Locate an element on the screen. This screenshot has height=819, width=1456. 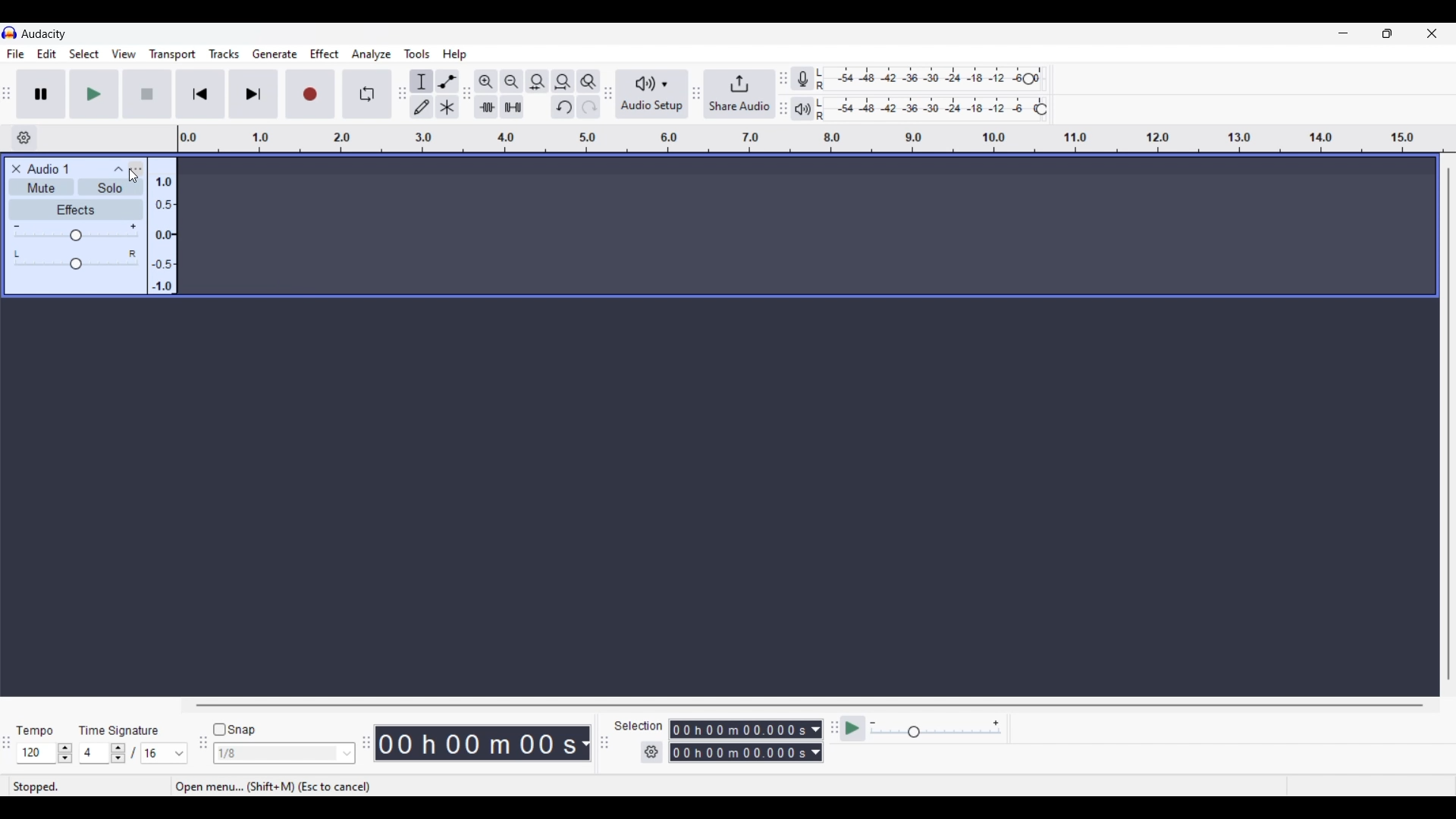
Time Signature is located at coordinates (121, 730).